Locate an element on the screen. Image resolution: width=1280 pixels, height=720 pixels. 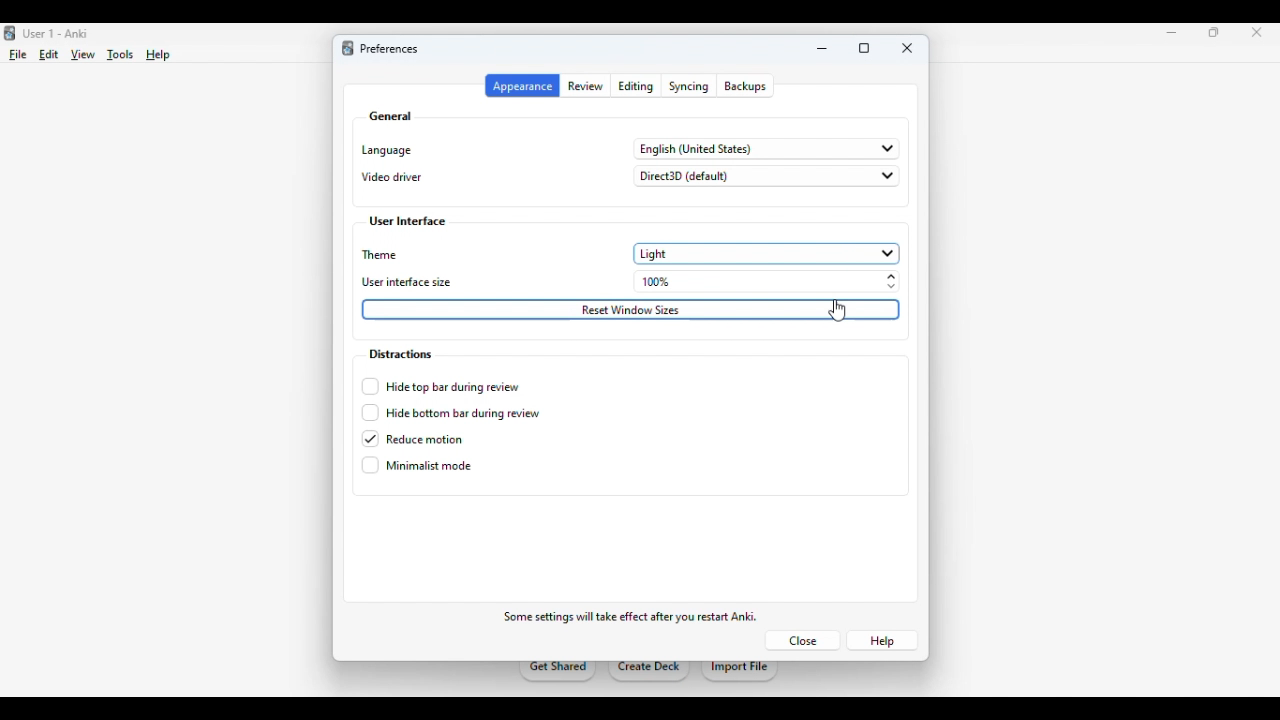
editing is located at coordinates (637, 86).